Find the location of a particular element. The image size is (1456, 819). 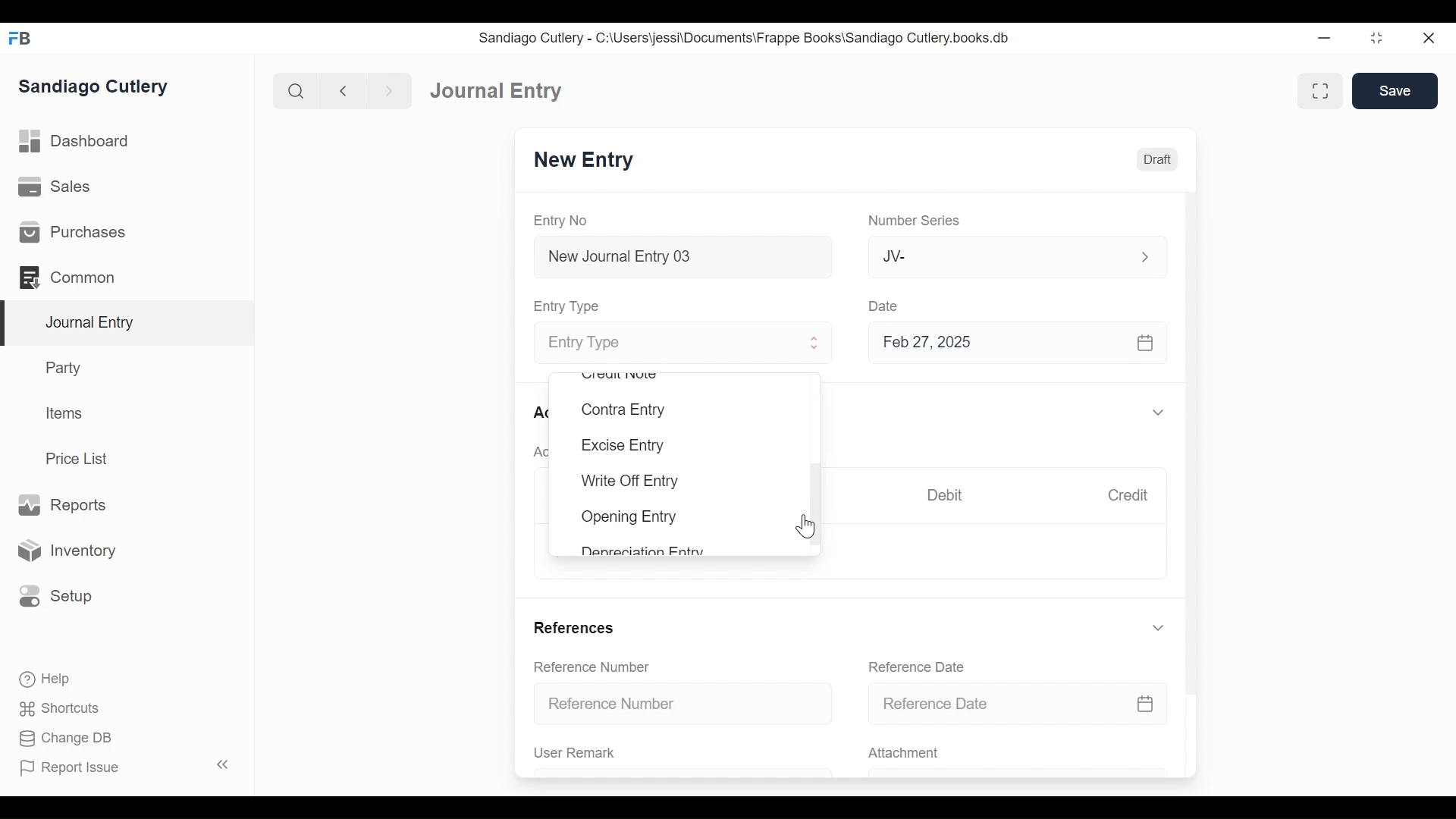

Expand is located at coordinates (1160, 628).